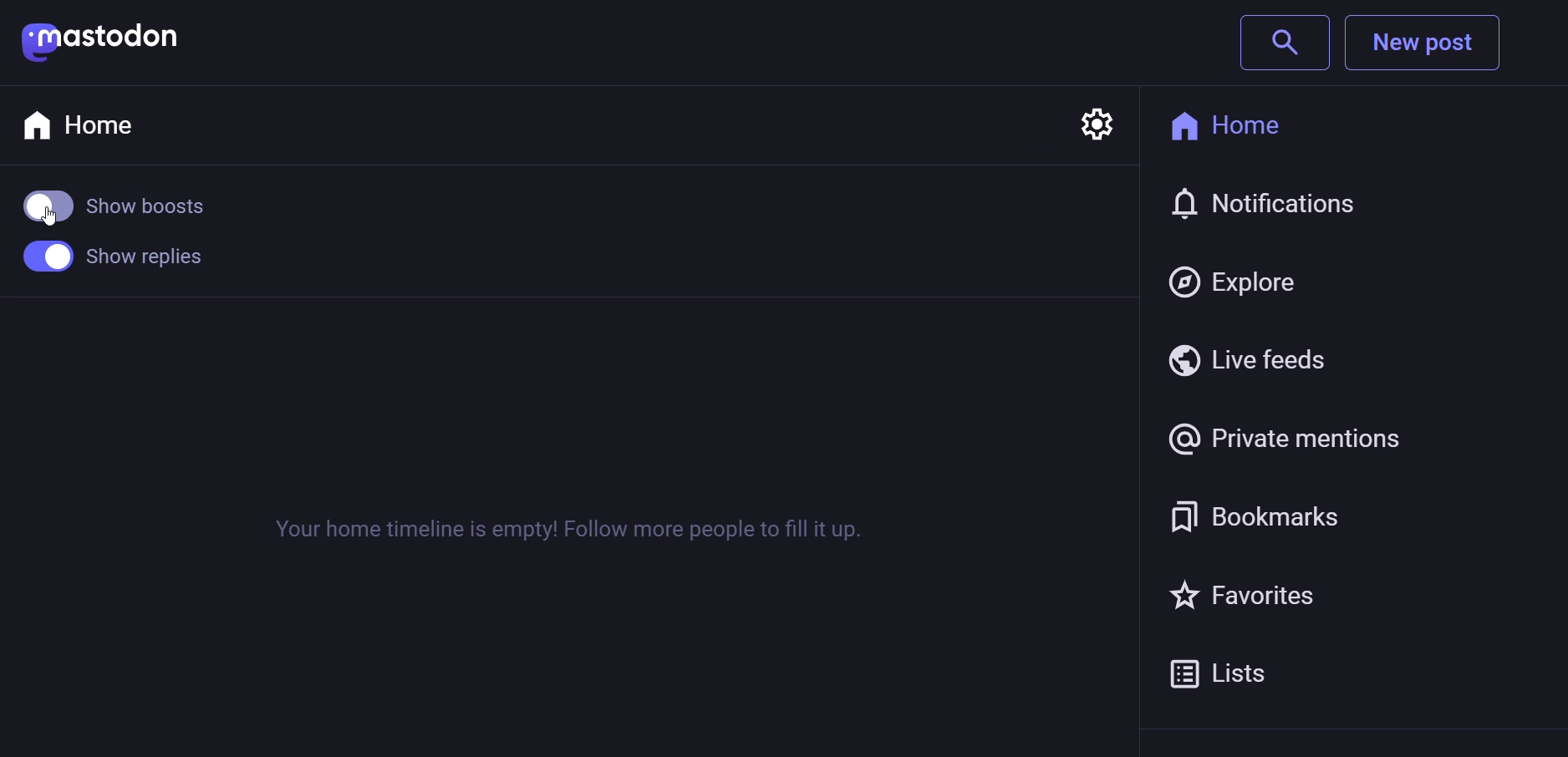 The width and height of the screenshot is (1568, 757). Describe the element at coordinates (1261, 514) in the screenshot. I see `bookmark` at that location.